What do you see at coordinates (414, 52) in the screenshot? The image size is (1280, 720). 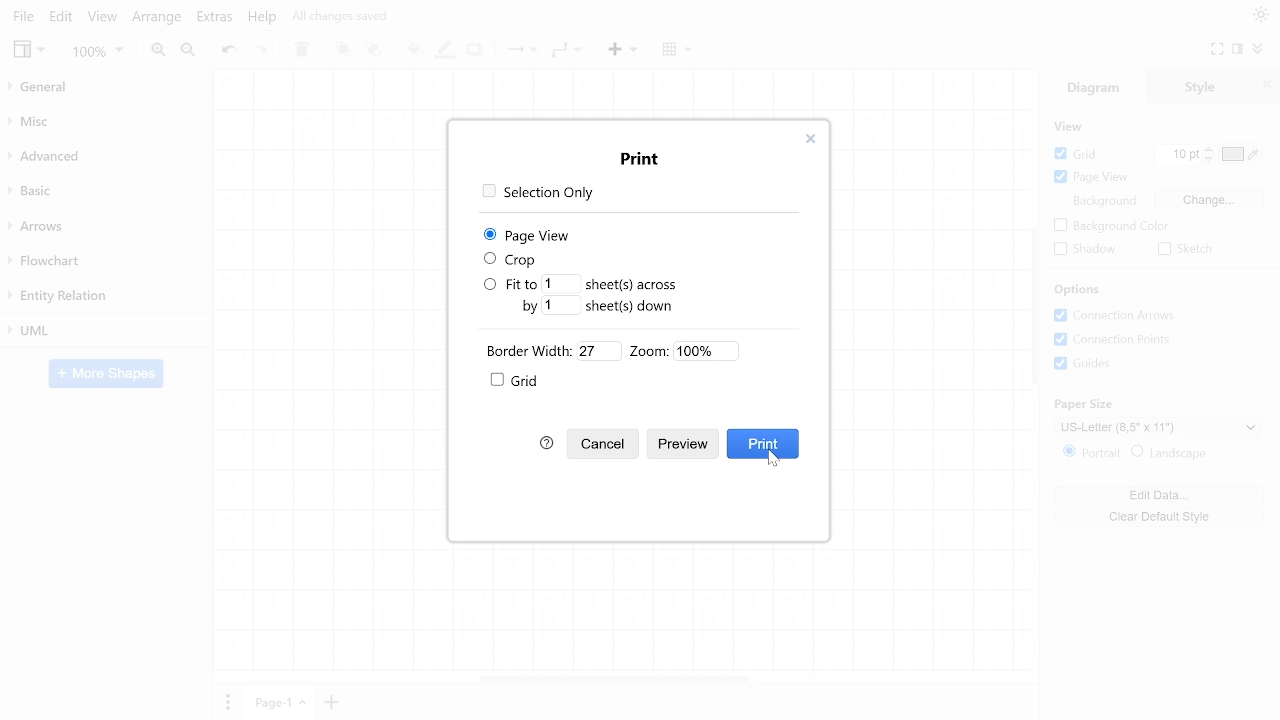 I see `Fill color` at bounding box center [414, 52].